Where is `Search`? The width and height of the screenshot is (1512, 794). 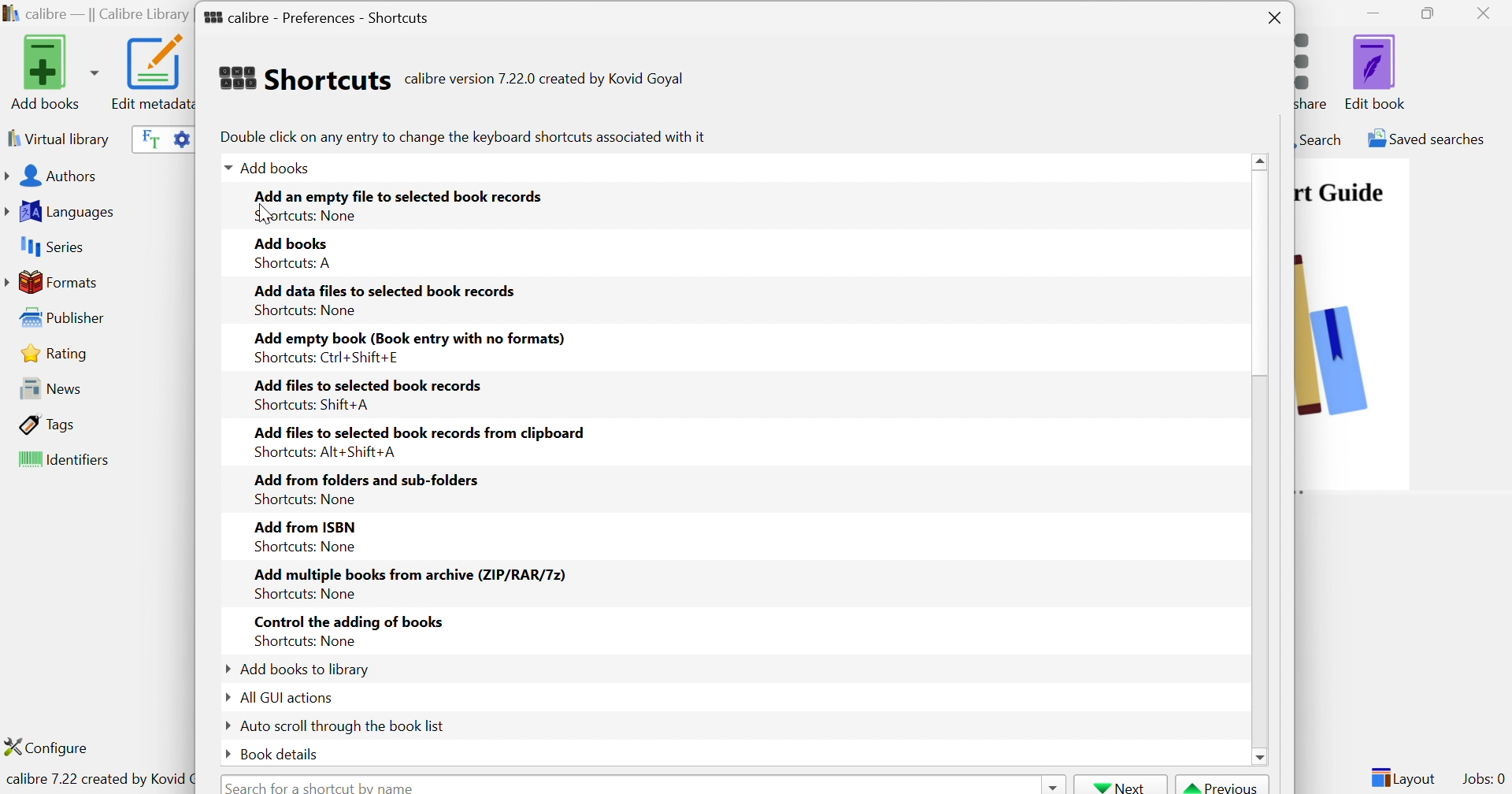
Search is located at coordinates (1319, 139).